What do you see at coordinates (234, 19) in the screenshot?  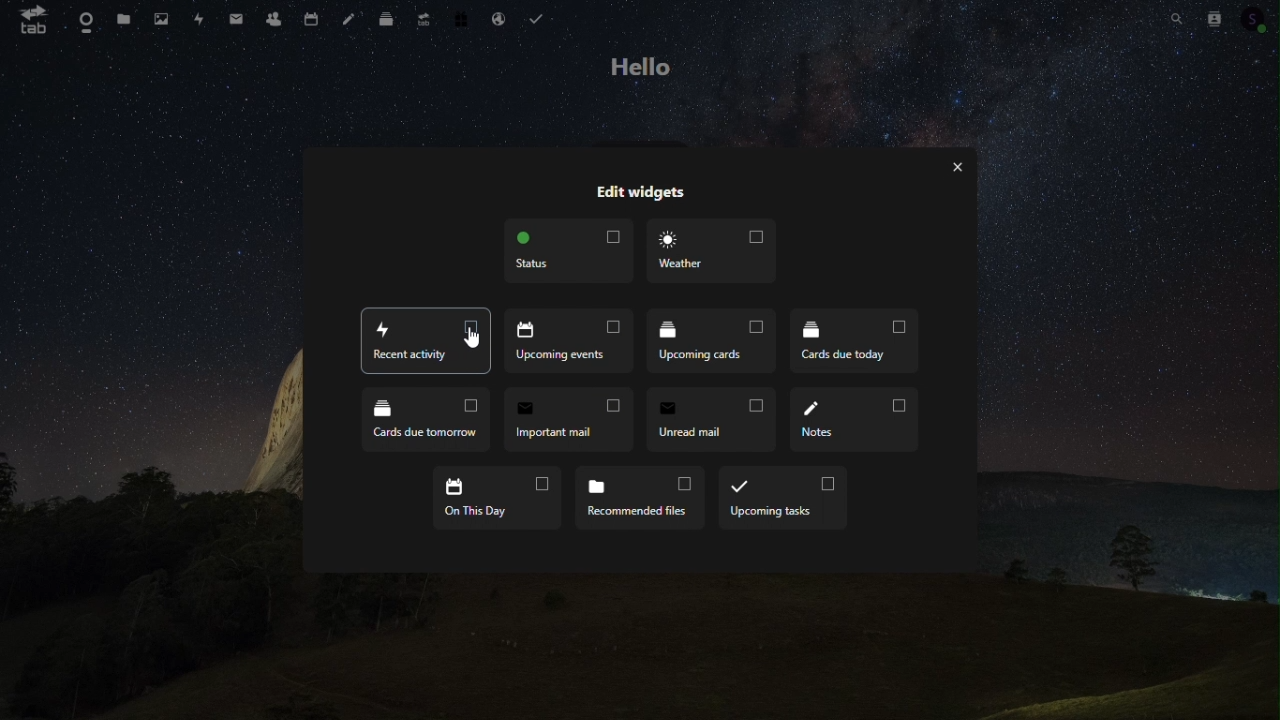 I see `Important mail` at bounding box center [234, 19].